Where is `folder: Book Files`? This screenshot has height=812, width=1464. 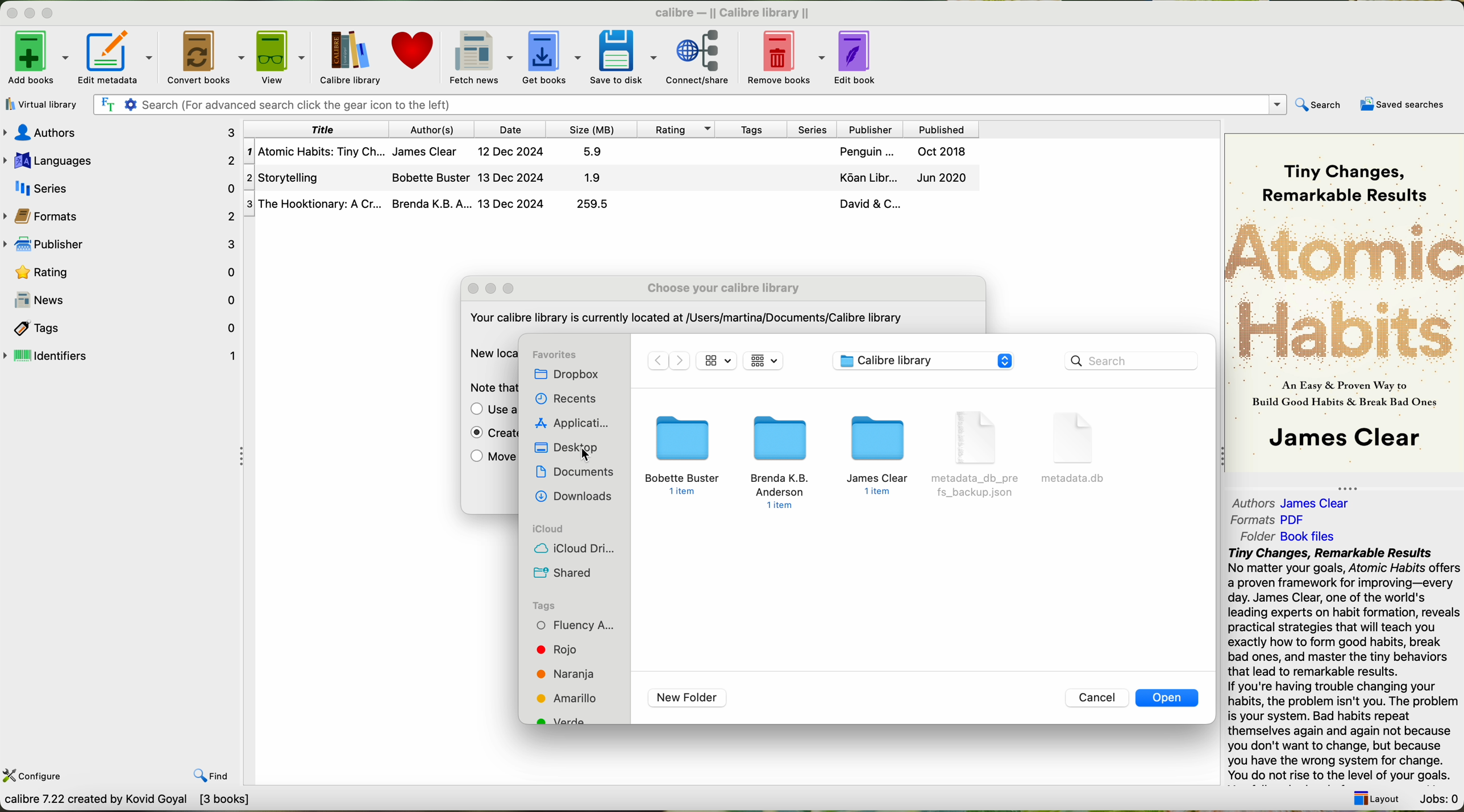
folder: Book Files is located at coordinates (1288, 536).